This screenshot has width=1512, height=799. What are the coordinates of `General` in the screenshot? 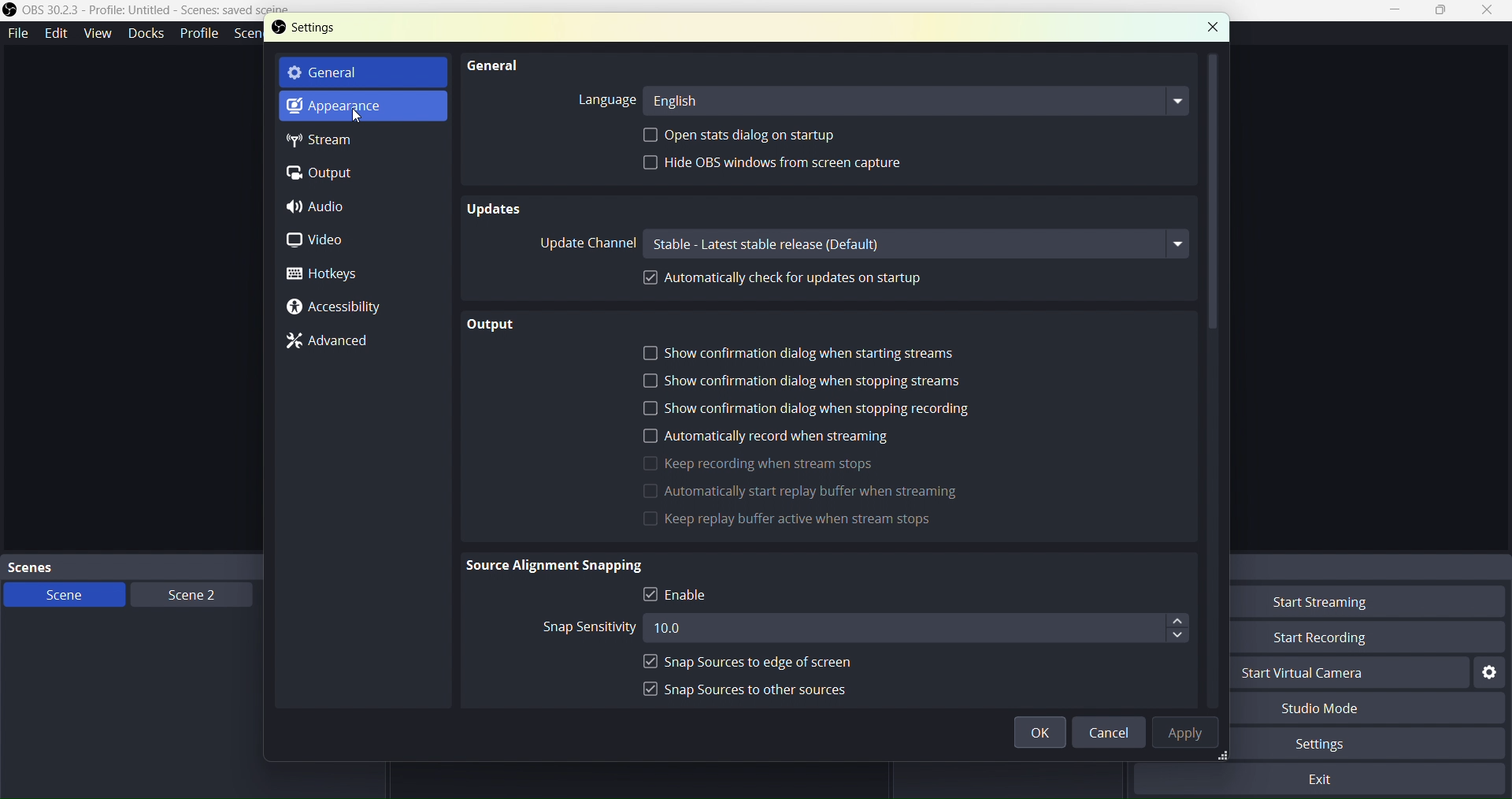 It's located at (356, 72).